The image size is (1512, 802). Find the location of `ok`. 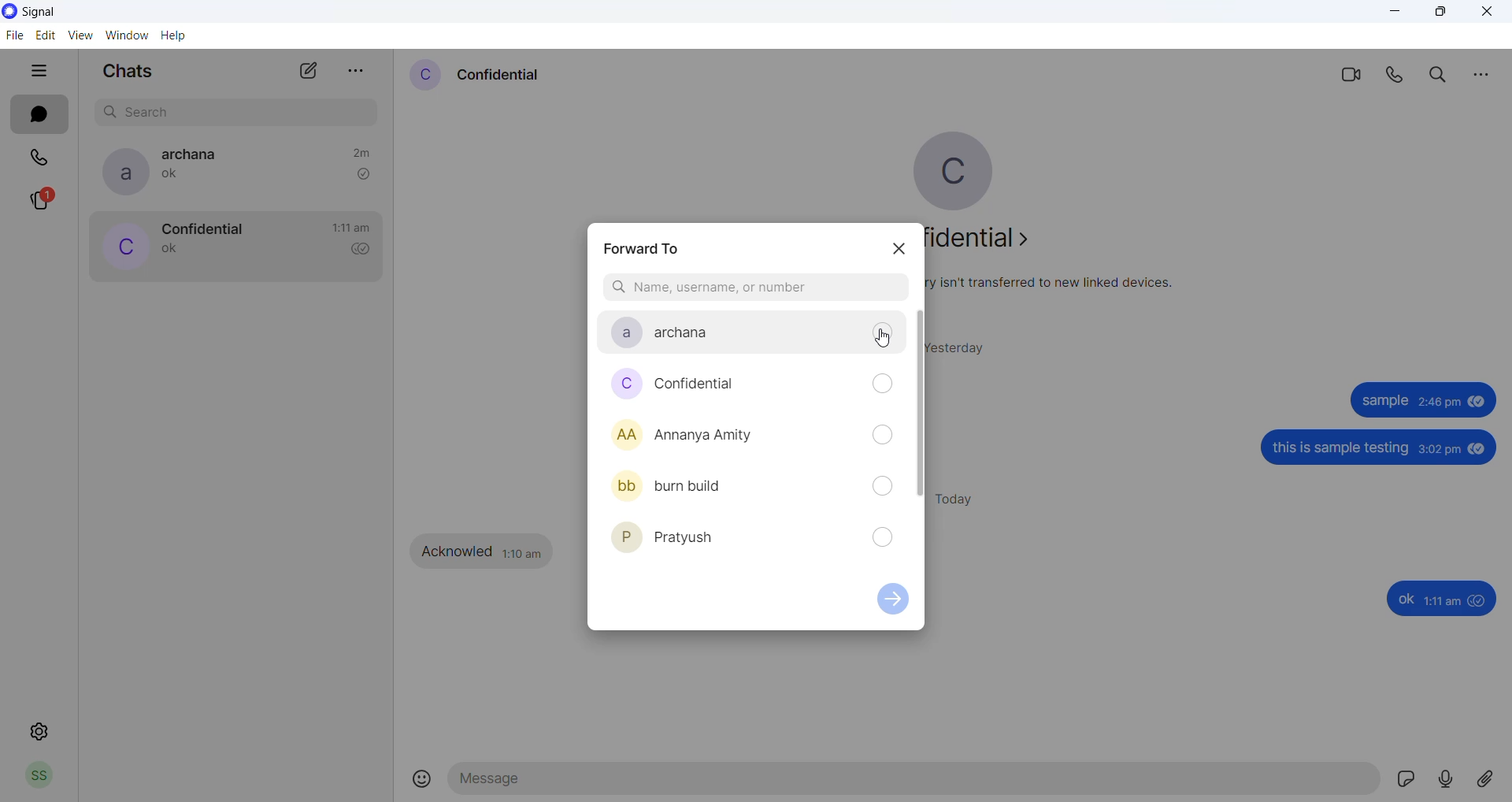

ok is located at coordinates (1405, 600).